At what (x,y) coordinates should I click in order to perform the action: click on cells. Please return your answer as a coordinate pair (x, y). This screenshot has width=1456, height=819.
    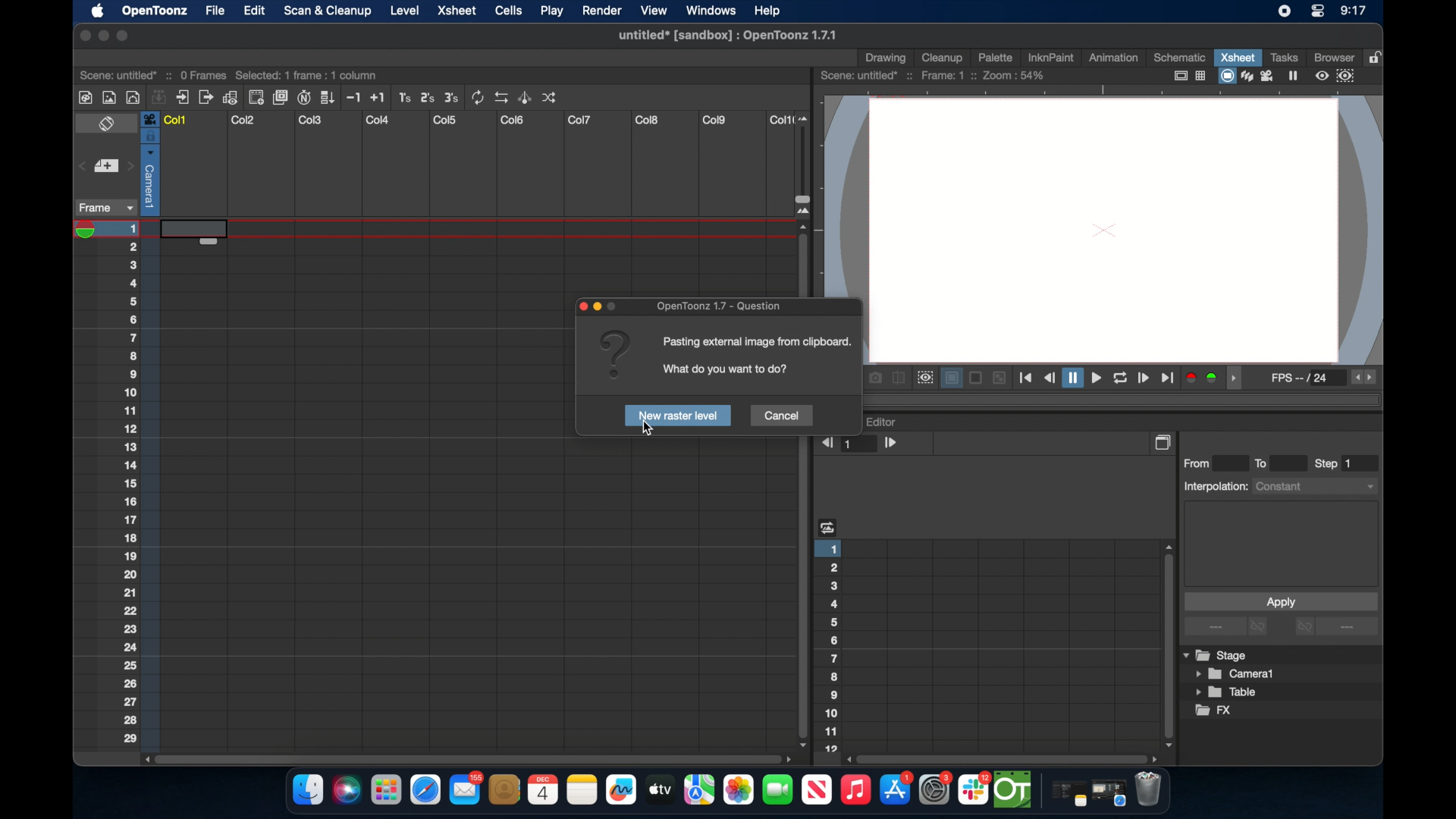
    Looking at the image, I should click on (508, 11).